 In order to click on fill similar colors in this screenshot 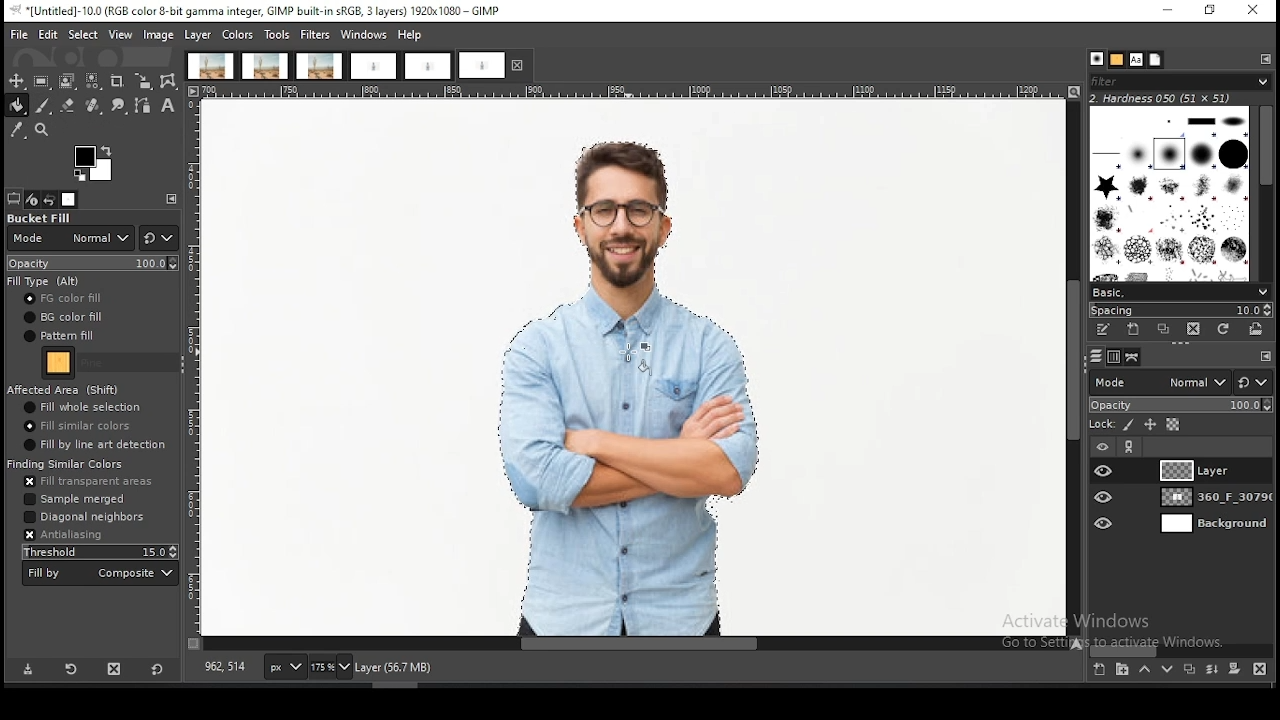, I will do `click(77, 425)`.